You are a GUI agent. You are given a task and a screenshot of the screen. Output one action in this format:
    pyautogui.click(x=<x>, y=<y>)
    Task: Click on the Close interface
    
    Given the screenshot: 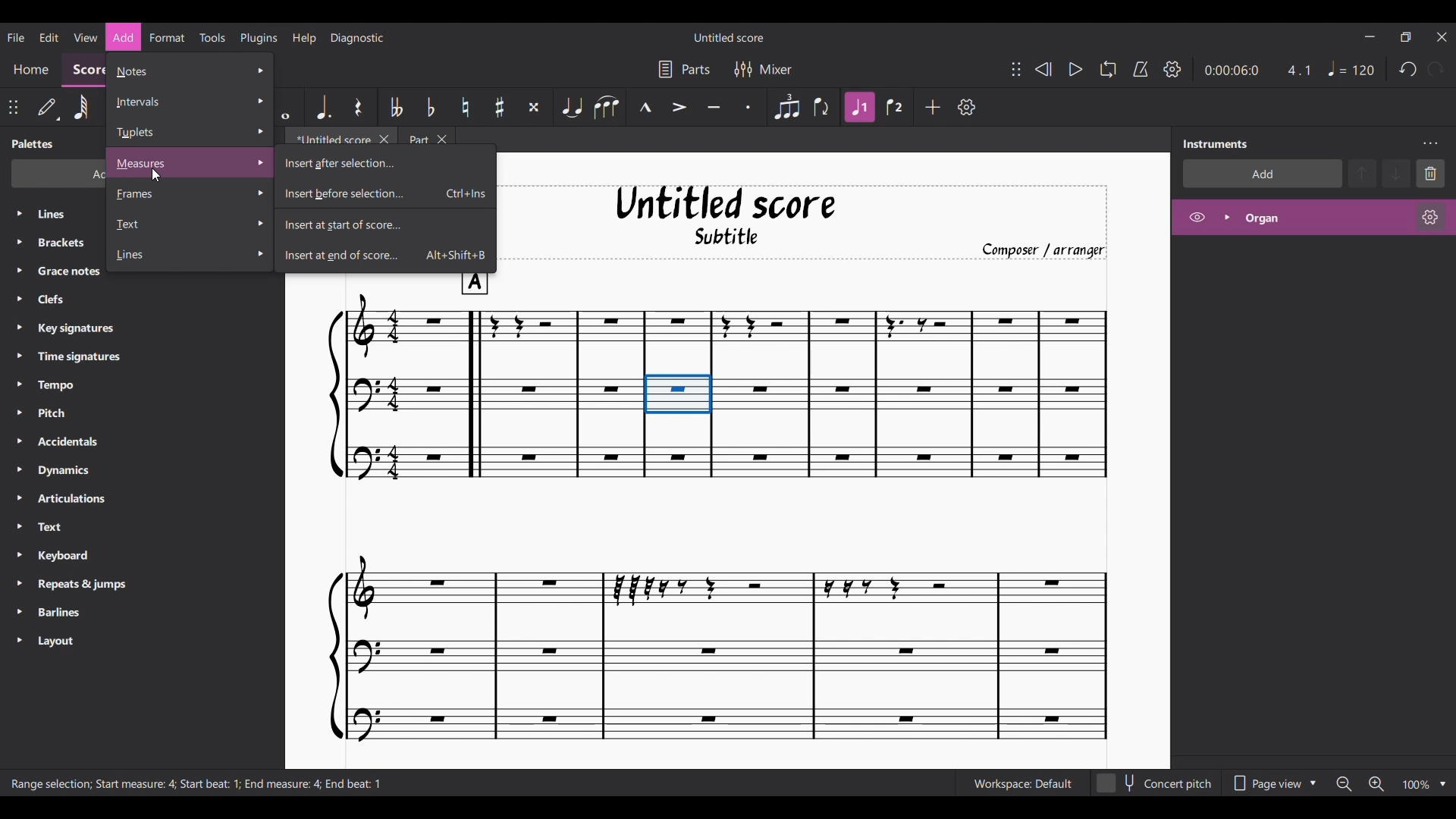 What is the action you would take?
    pyautogui.click(x=1442, y=37)
    